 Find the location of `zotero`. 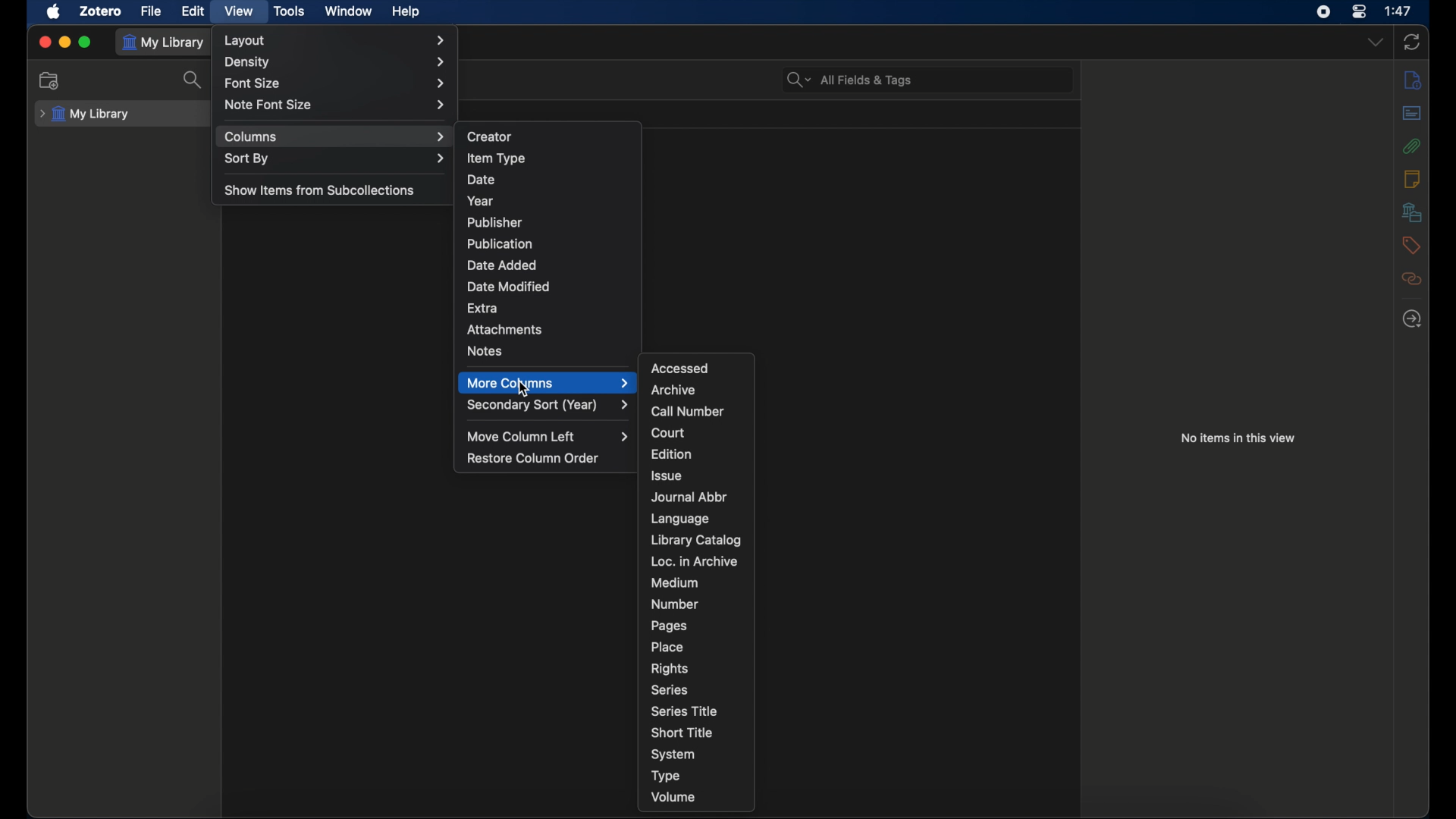

zotero is located at coordinates (99, 11).